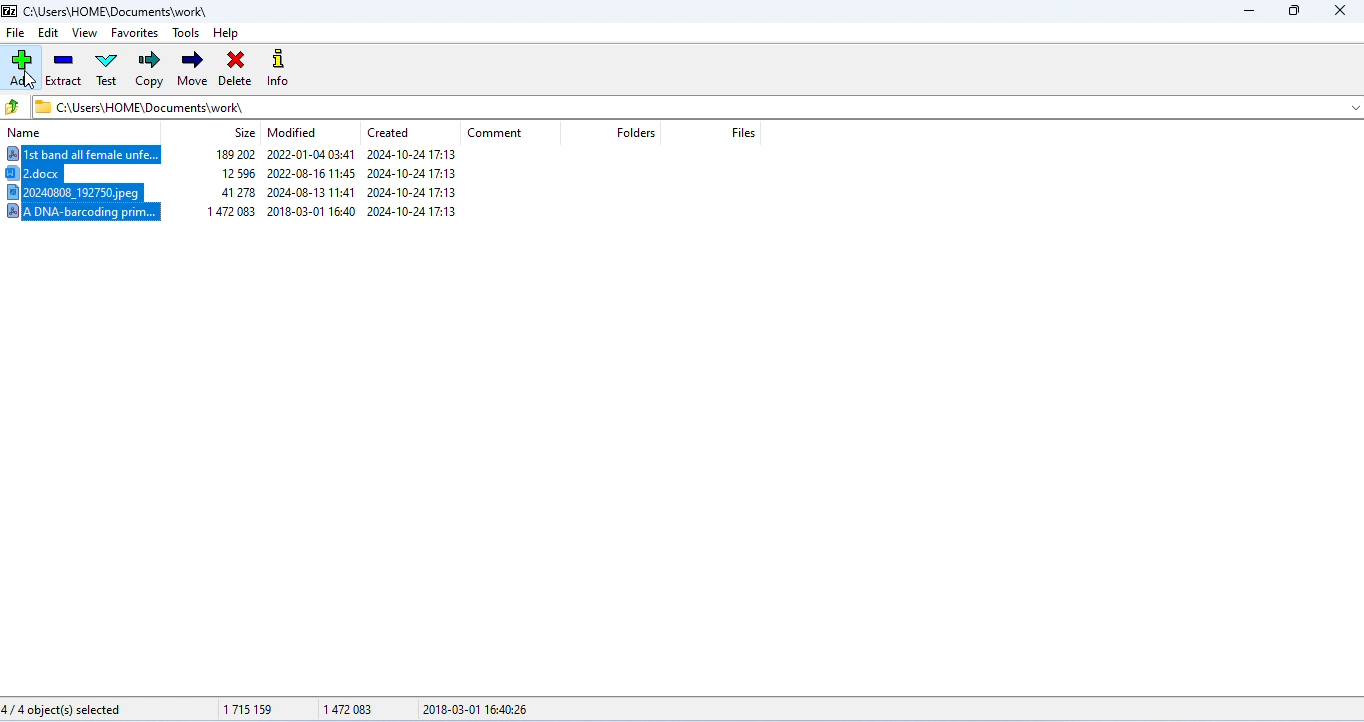  Describe the element at coordinates (151, 69) in the screenshot. I see `copy` at that location.